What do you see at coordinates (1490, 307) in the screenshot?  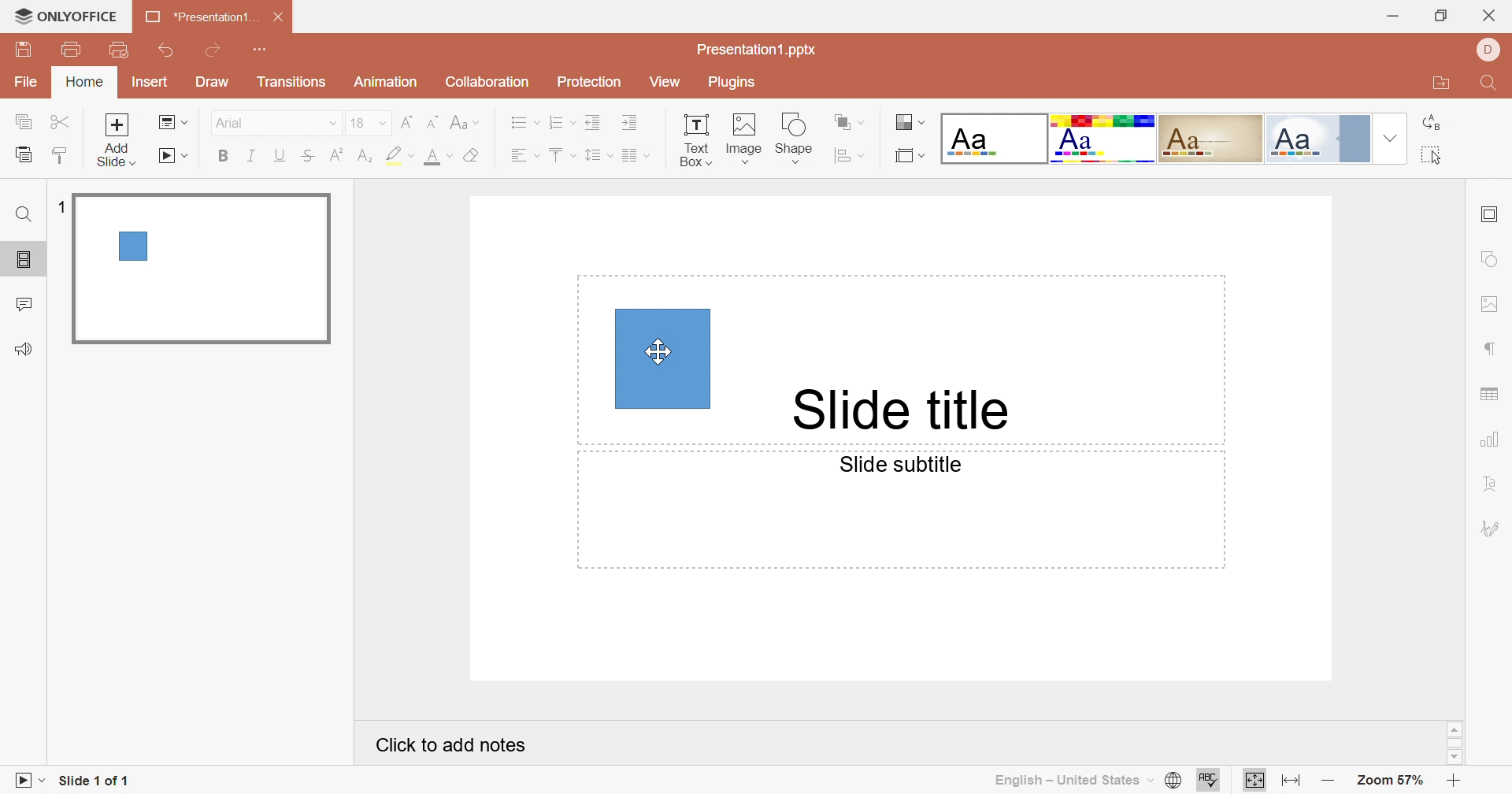 I see `Image settings` at bounding box center [1490, 307].